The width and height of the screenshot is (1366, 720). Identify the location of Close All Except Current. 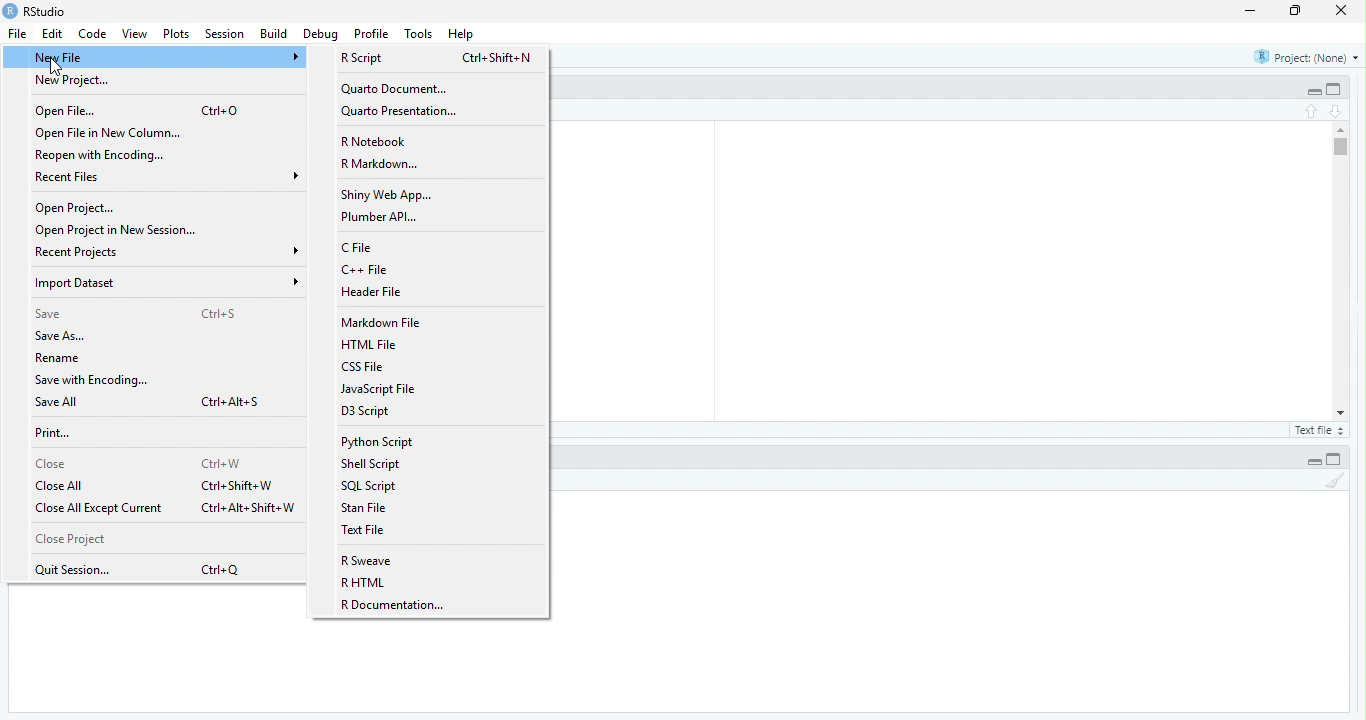
(102, 509).